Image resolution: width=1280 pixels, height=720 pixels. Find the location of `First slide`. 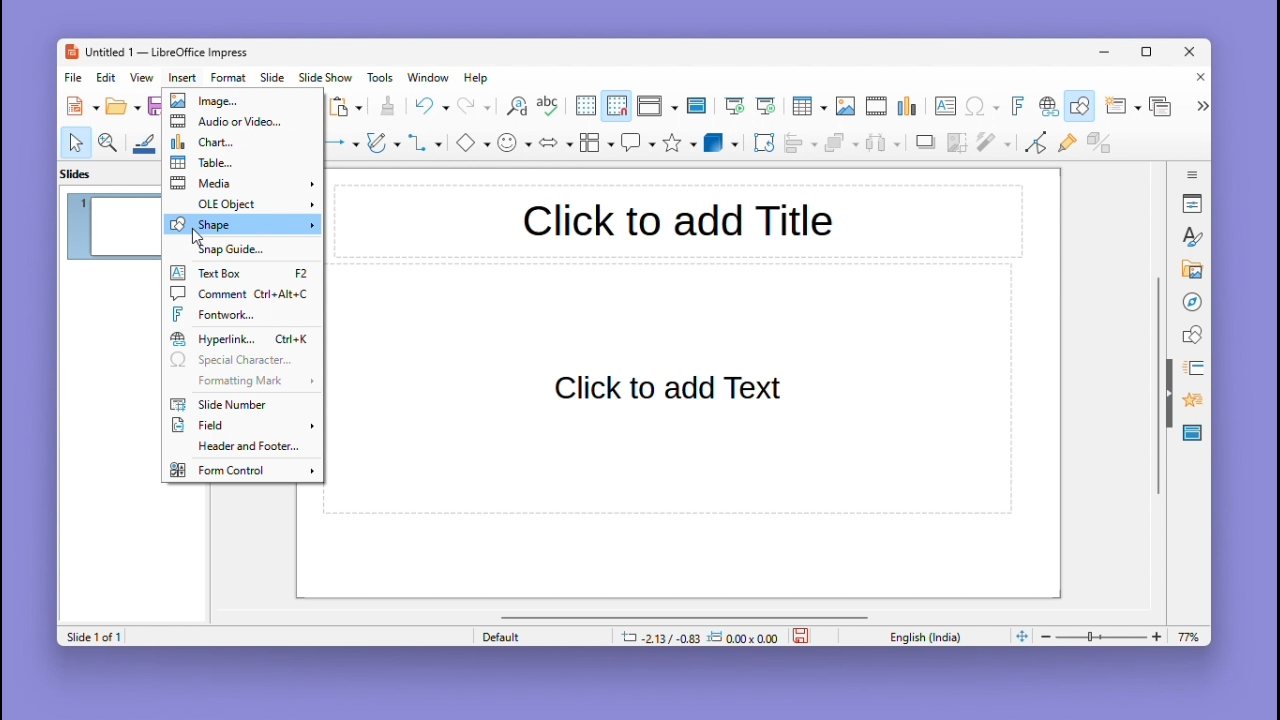

First slide is located at coordinates (735, 107).